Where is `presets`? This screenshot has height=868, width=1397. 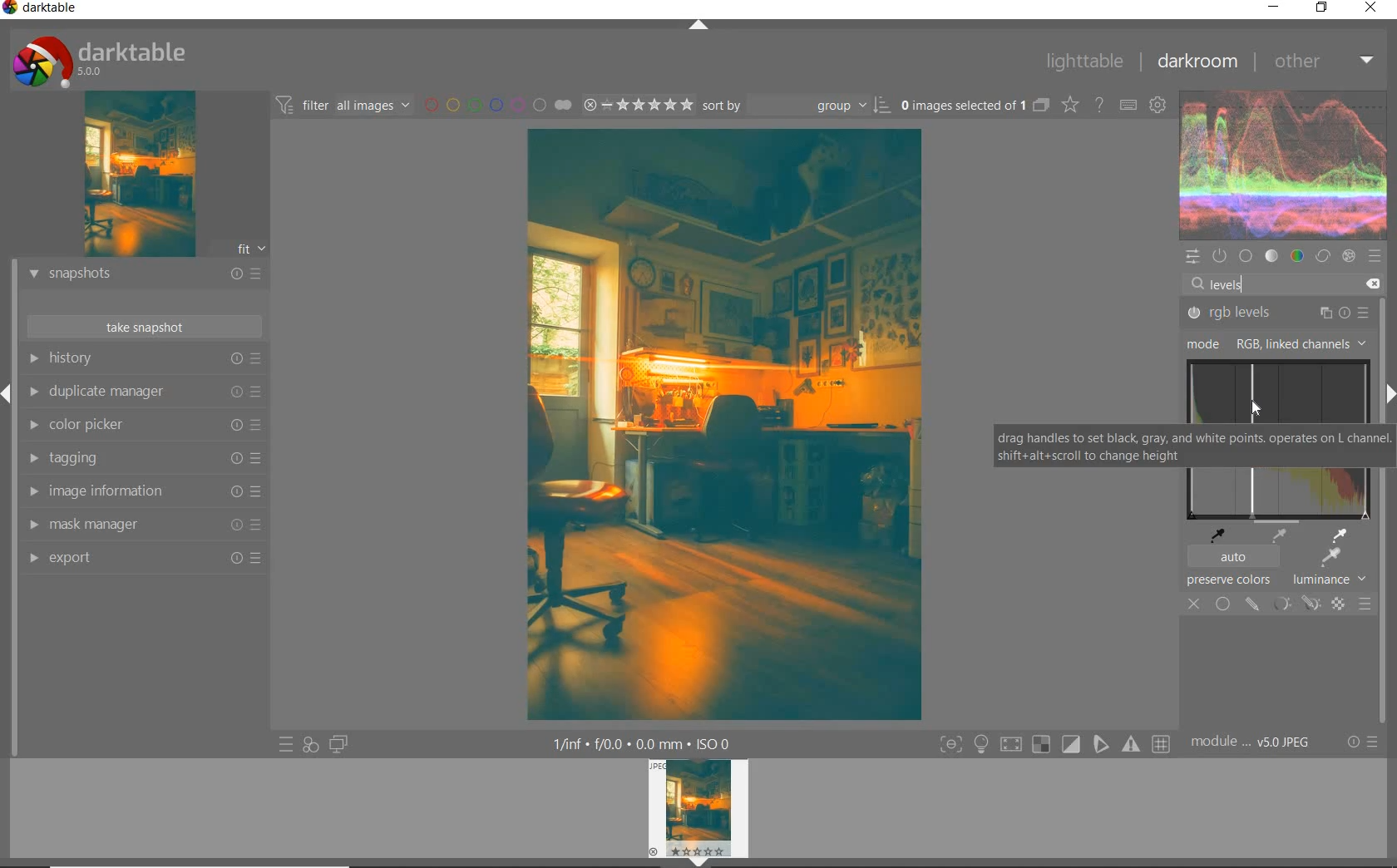
presets is located at coordinates (1378, 256).